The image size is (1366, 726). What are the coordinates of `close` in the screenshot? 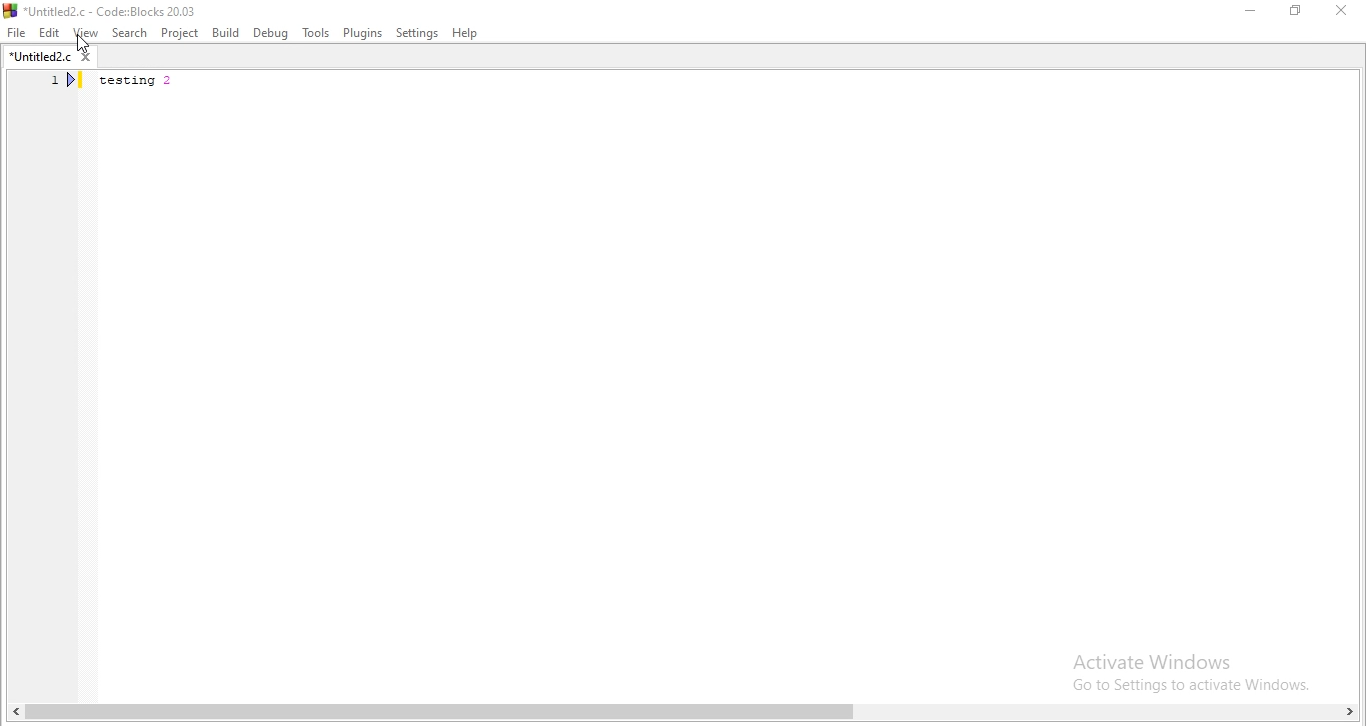 It's located at (1345, 11).